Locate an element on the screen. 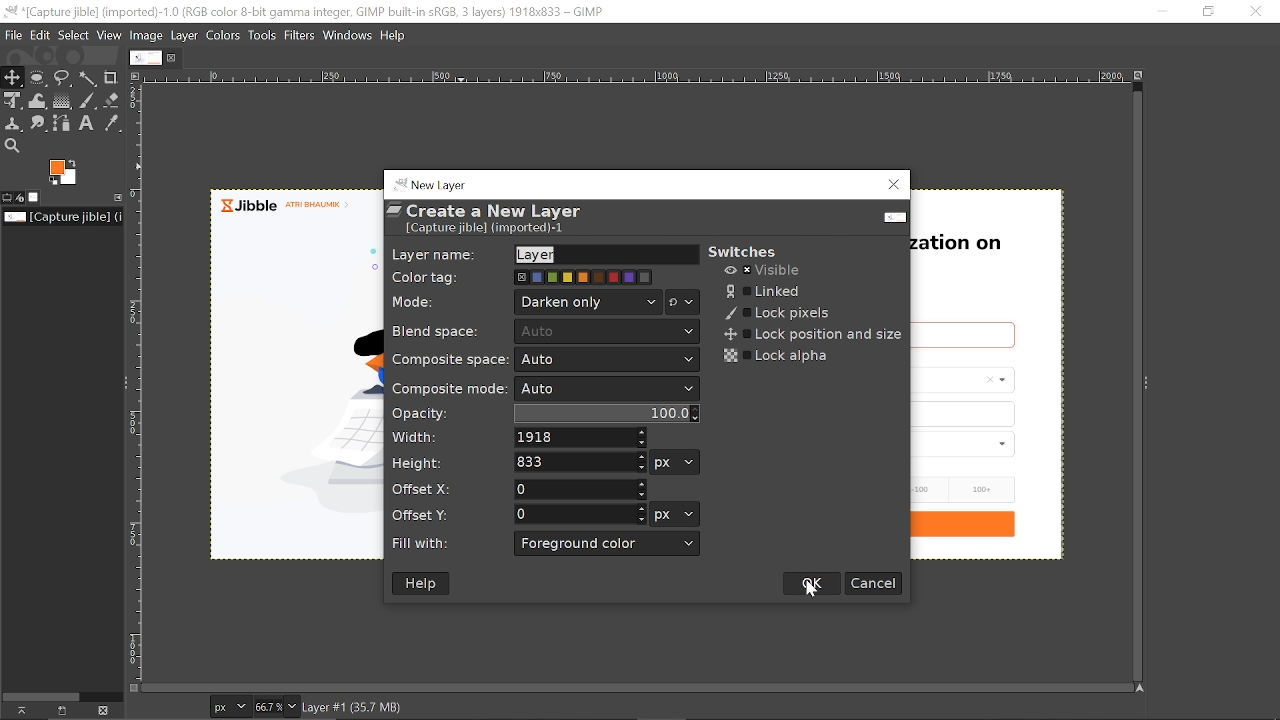  Close is located at coordinates (891, 185).